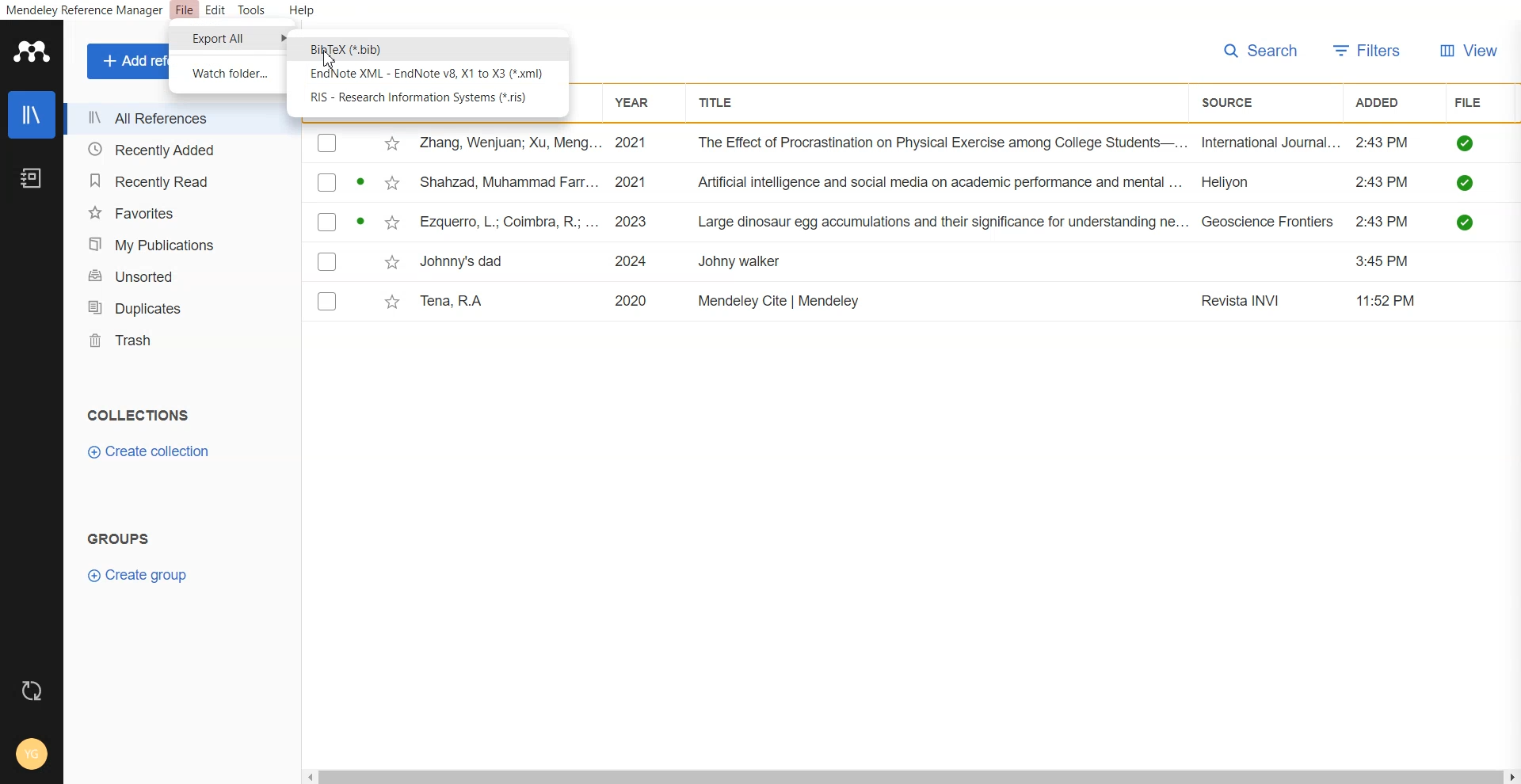  I want to click on Added, so click(1386, 101).